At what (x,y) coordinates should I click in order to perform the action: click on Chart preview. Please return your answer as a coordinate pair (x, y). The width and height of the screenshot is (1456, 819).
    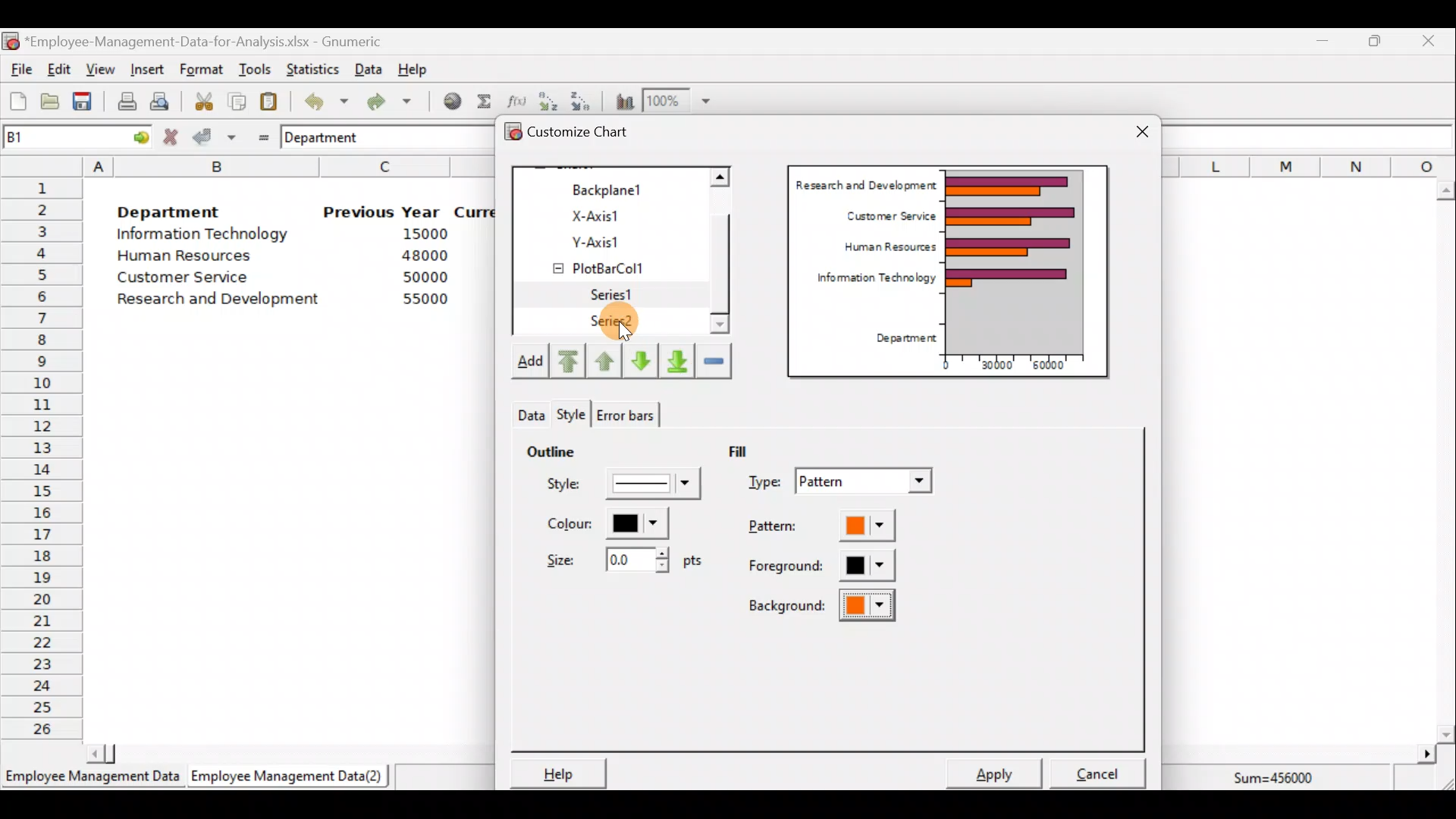
    Looking at the image, I should click on (1025, 261).